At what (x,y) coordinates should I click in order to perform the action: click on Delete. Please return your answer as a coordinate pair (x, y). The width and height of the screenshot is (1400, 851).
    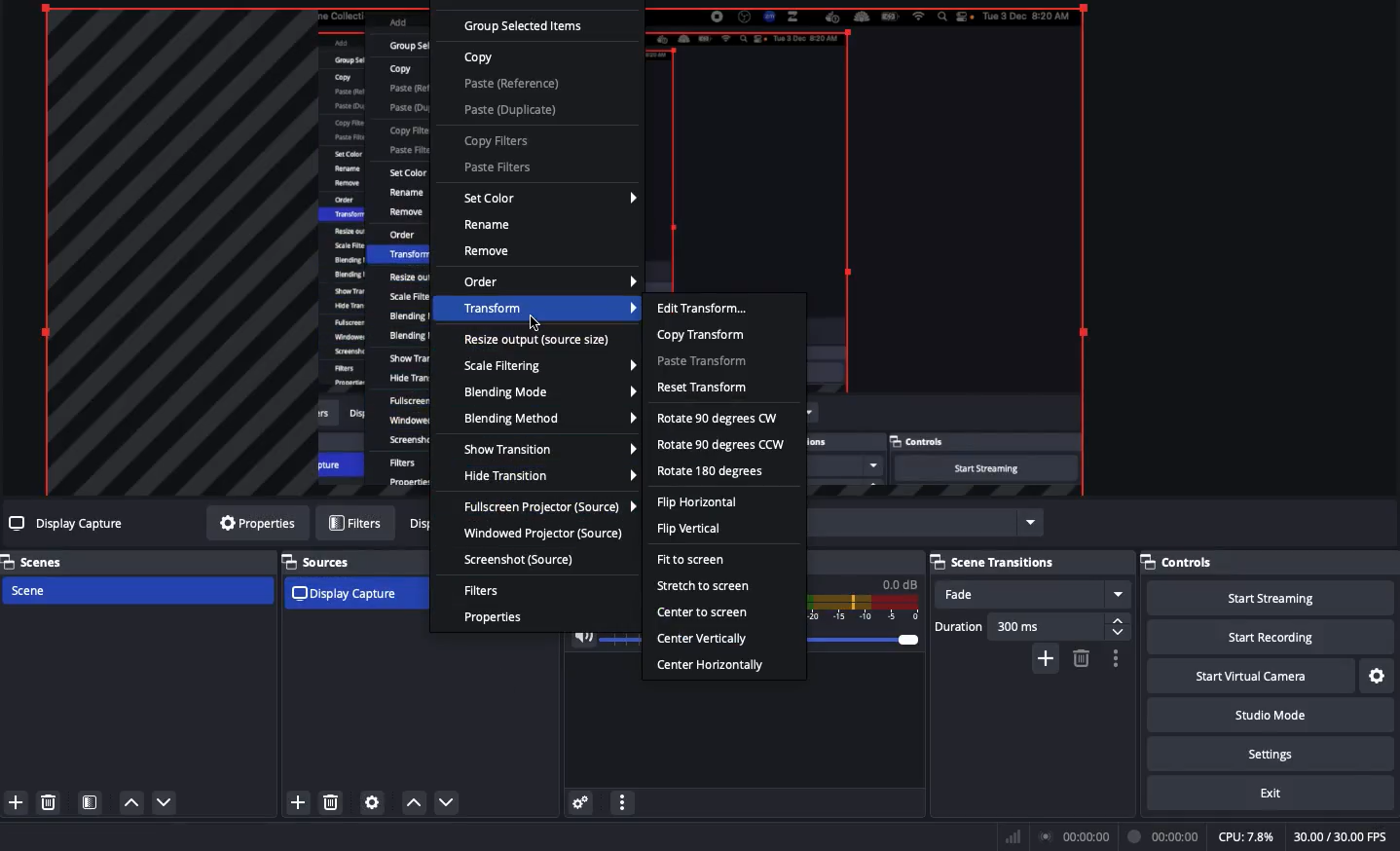
    Looking at the image, I should click on (49, 803).